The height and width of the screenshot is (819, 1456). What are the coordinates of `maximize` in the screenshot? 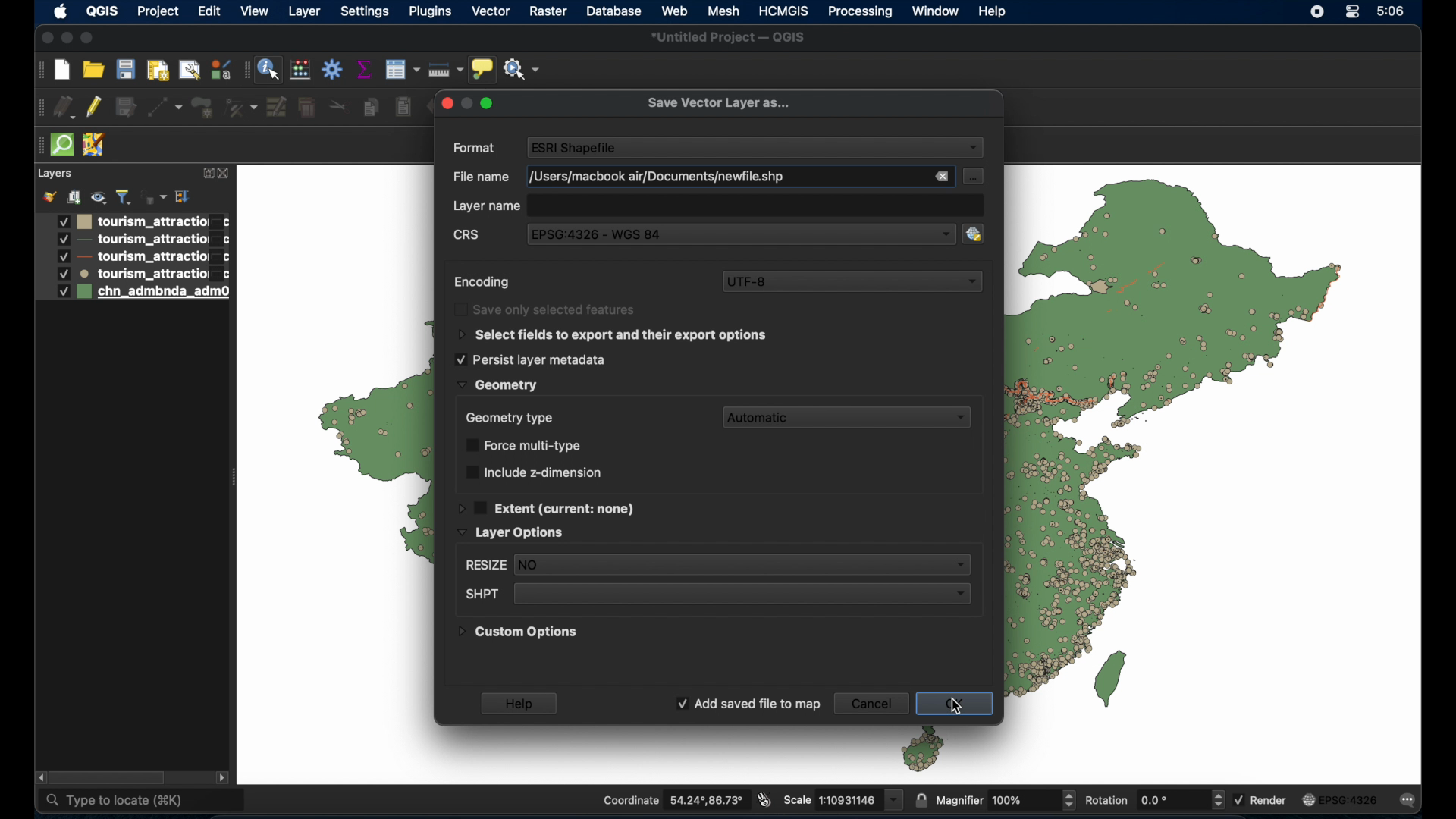 It's located at (90, 37).